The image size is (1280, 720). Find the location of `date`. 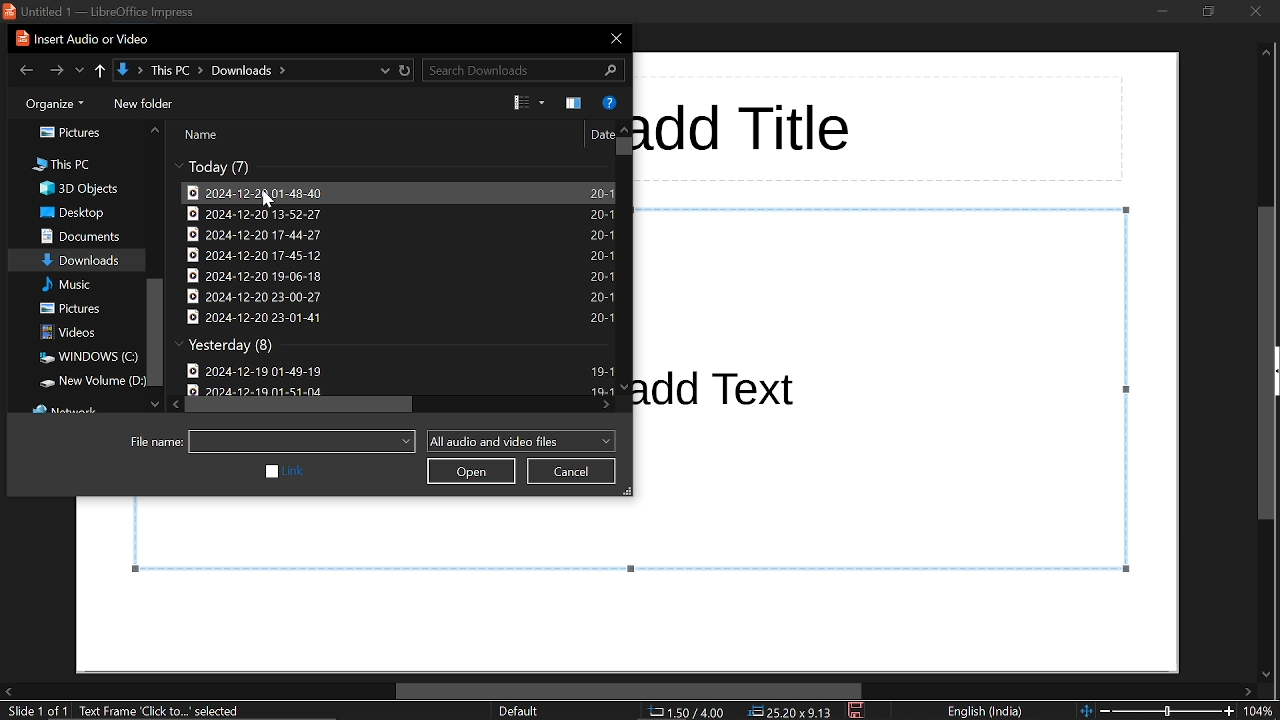

date is located at coordinates (599, 134).